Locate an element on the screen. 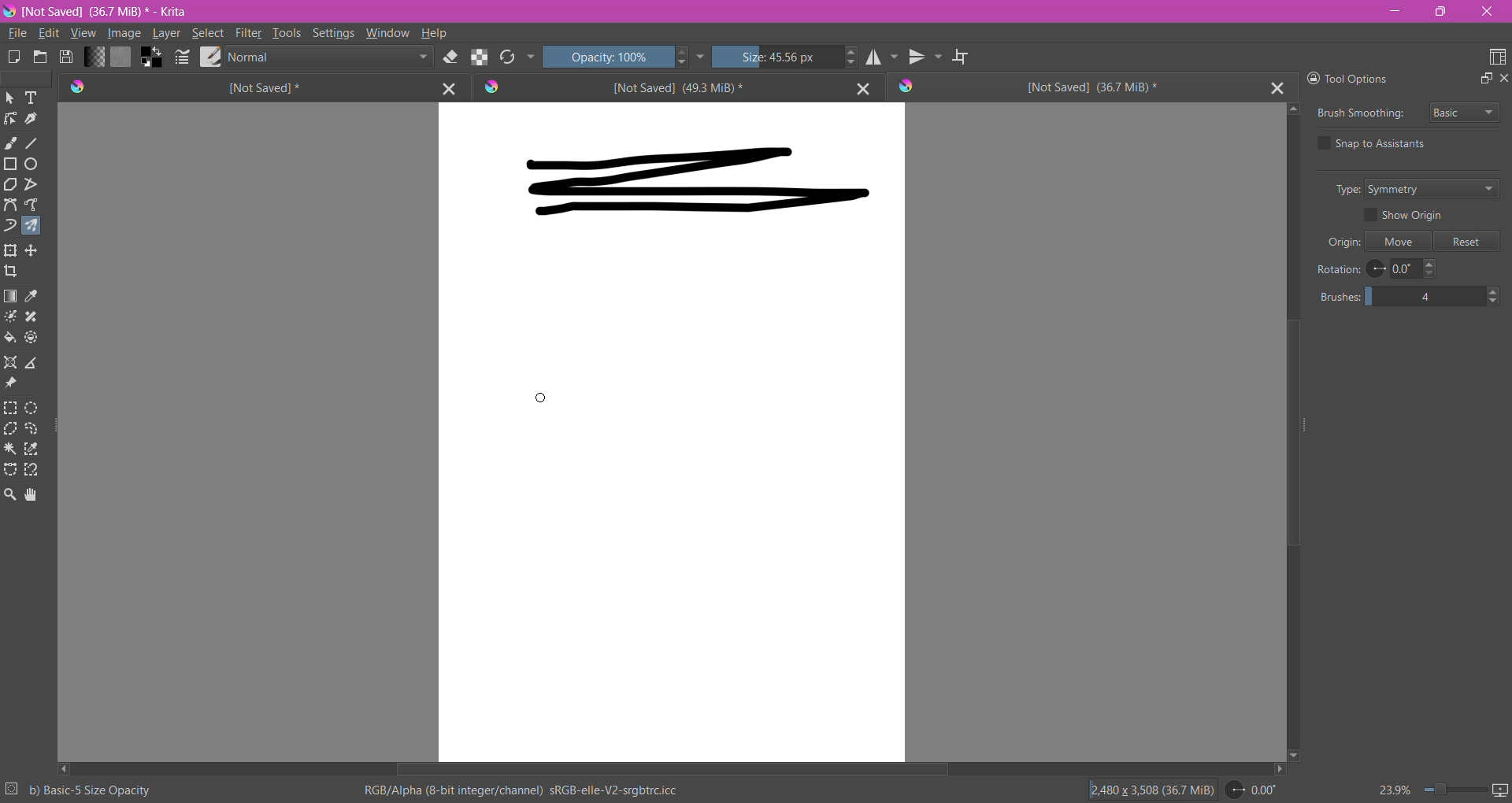 The width and height of the screenshot is (1512, 803). Contiguous Selection Tool is located at coordinates (12, 450).